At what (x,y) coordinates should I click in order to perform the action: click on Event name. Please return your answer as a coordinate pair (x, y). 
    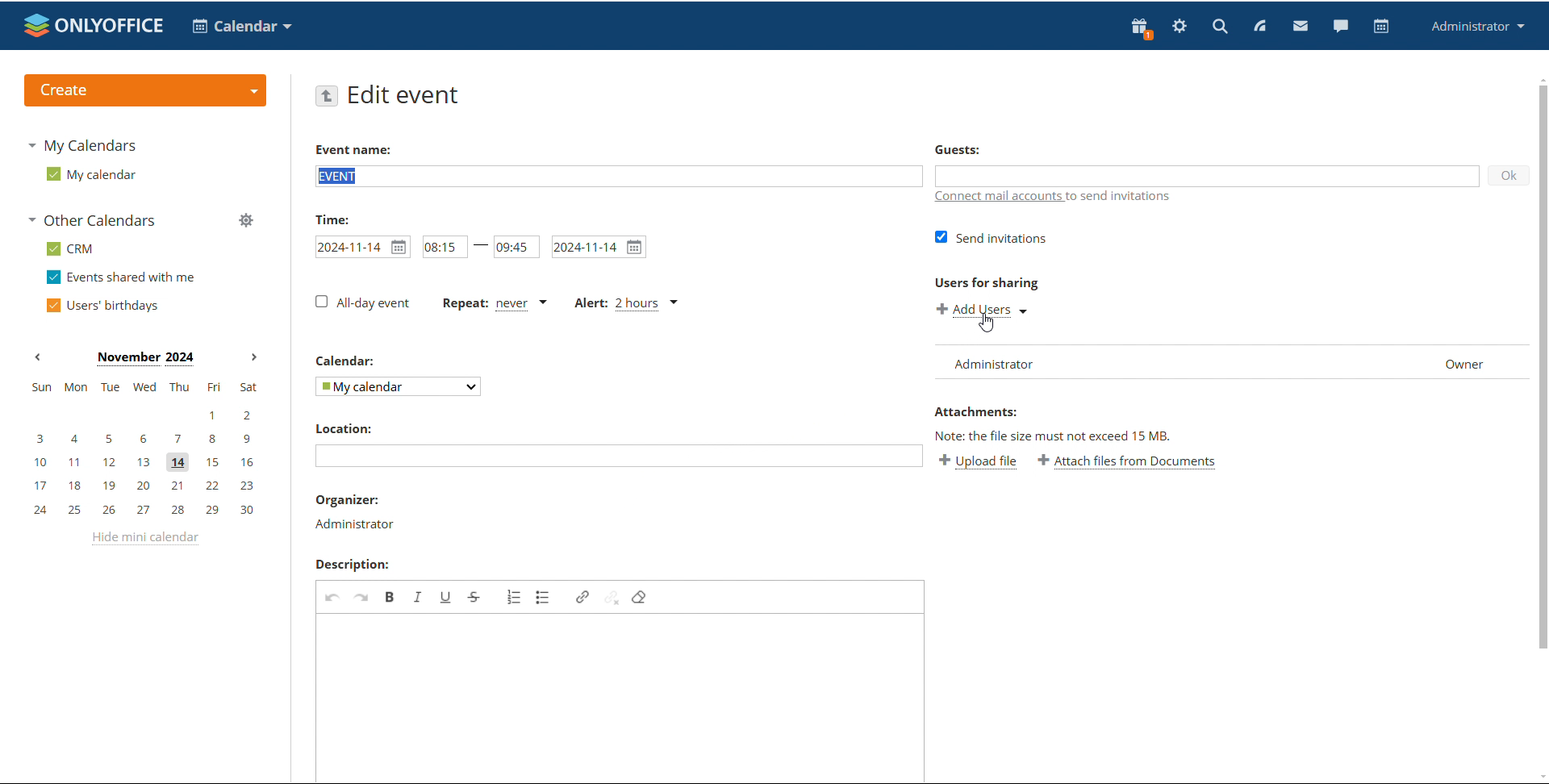
    Looking at the image, I should click on (353, 149).